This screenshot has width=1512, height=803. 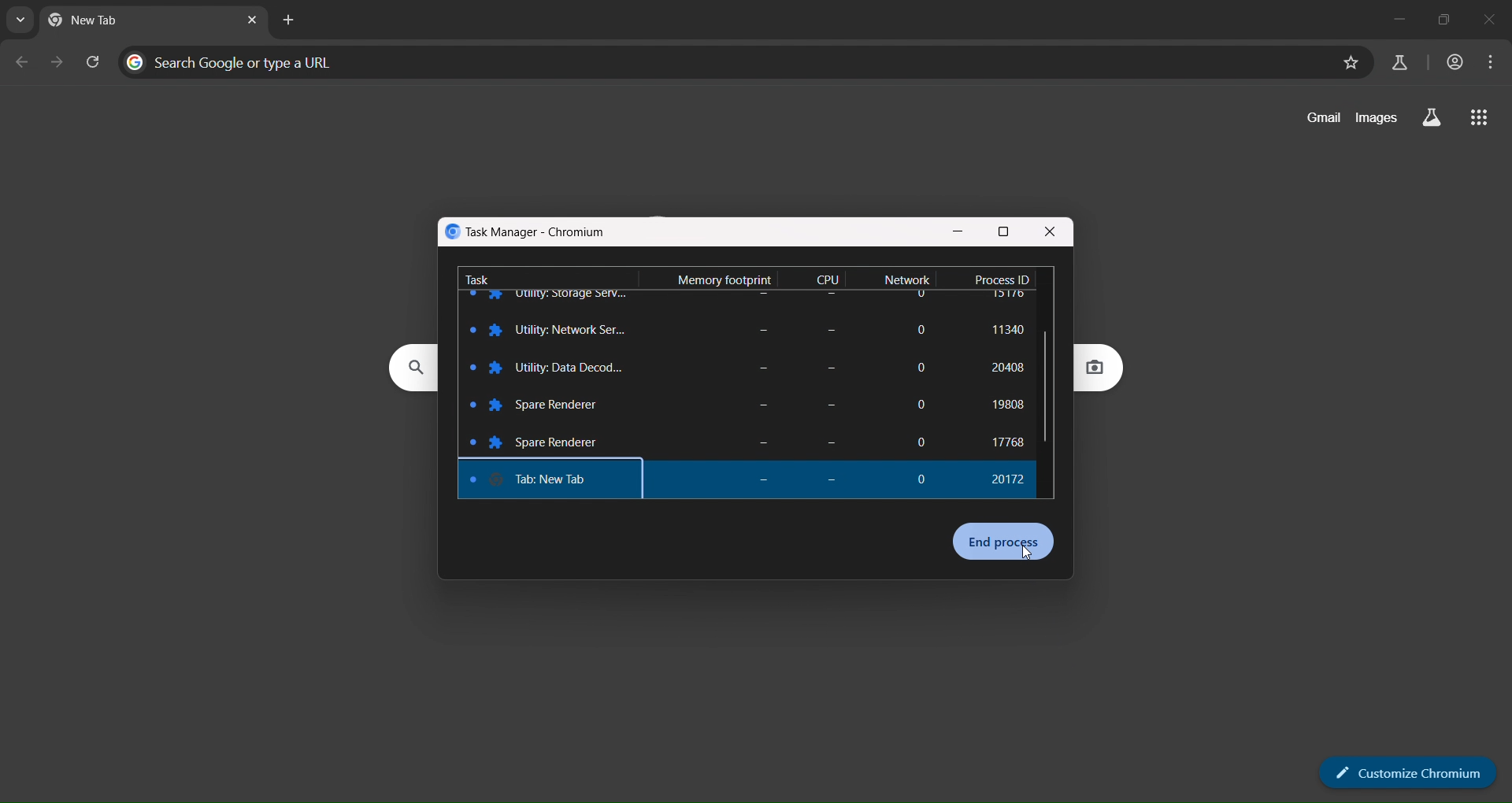 I want to click on 8,124K, so click(x=749, y=407).